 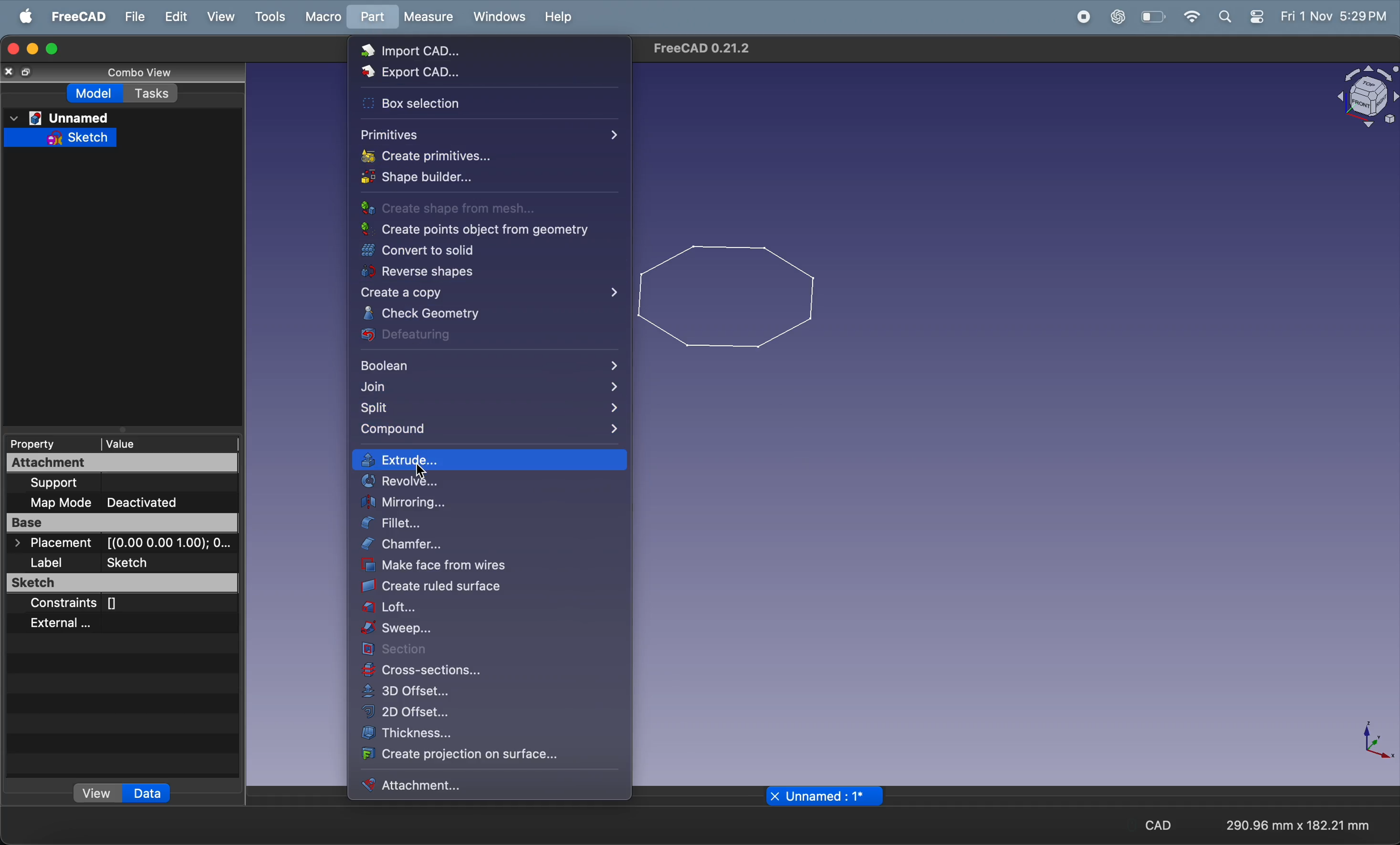 I want to click on sweep, so click(x=489, y=631).